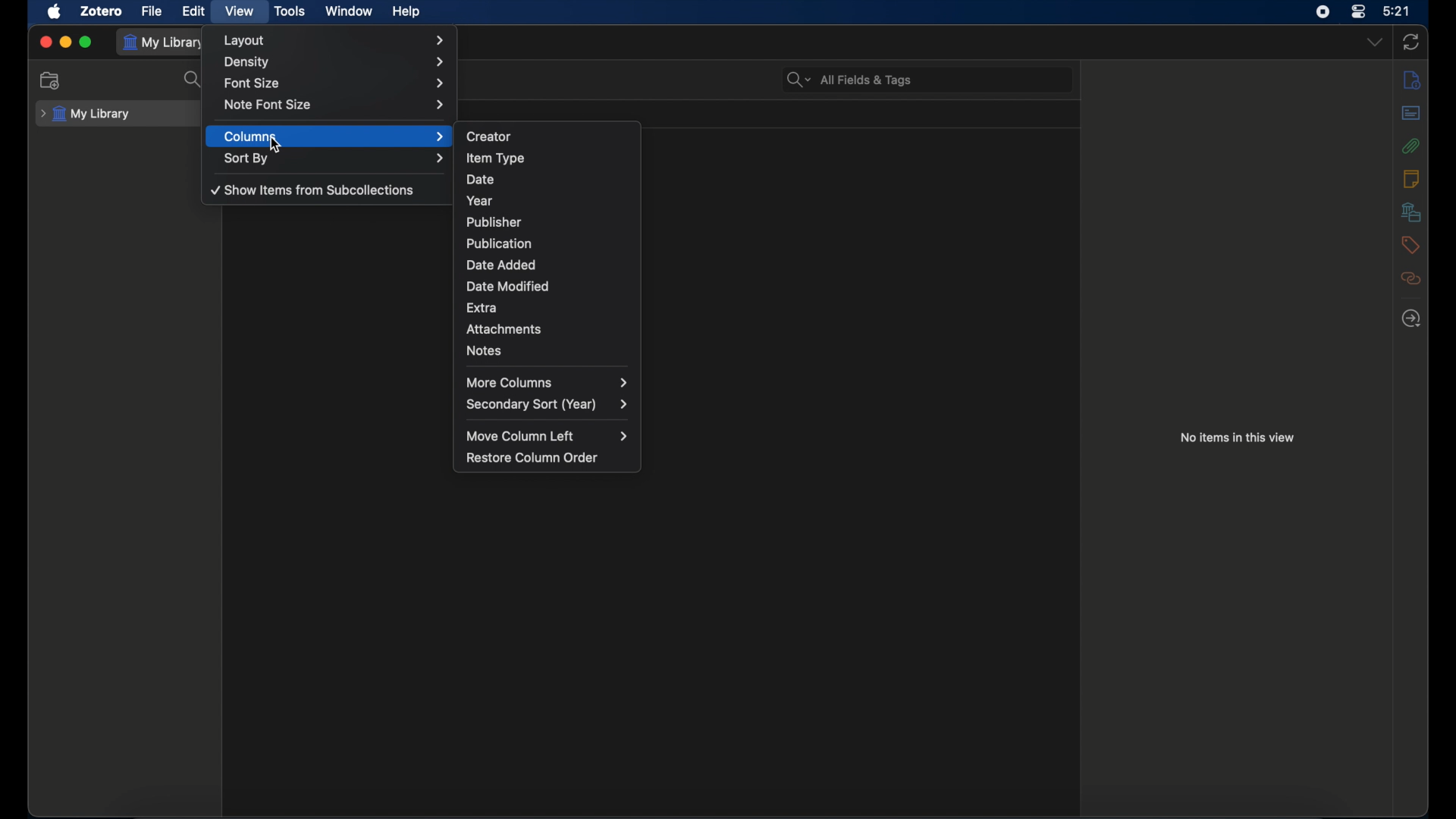 Image resolution: width=1456 pixels, height=819 pixels. Describe the element at coordinates (849, 80) in the screenshot. I see `search bar` at that location.